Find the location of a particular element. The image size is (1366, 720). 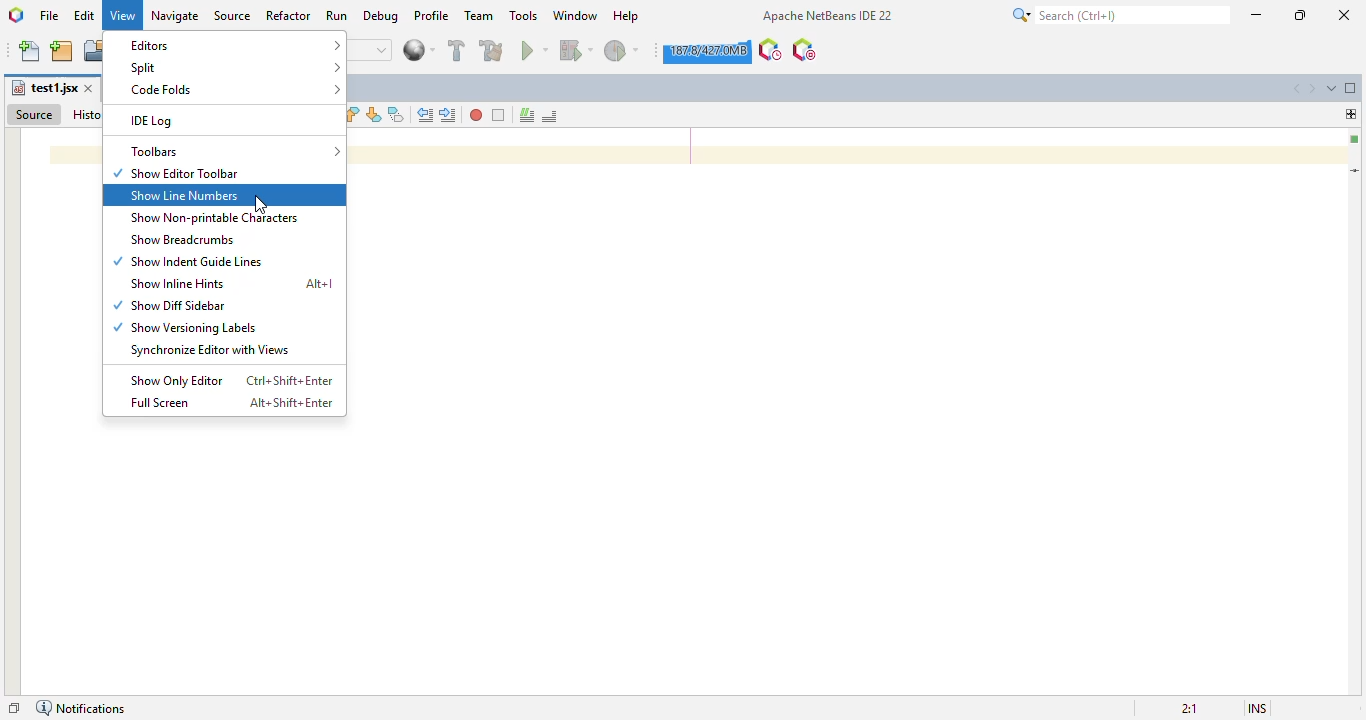

new file is located at coordinates (30, 51).